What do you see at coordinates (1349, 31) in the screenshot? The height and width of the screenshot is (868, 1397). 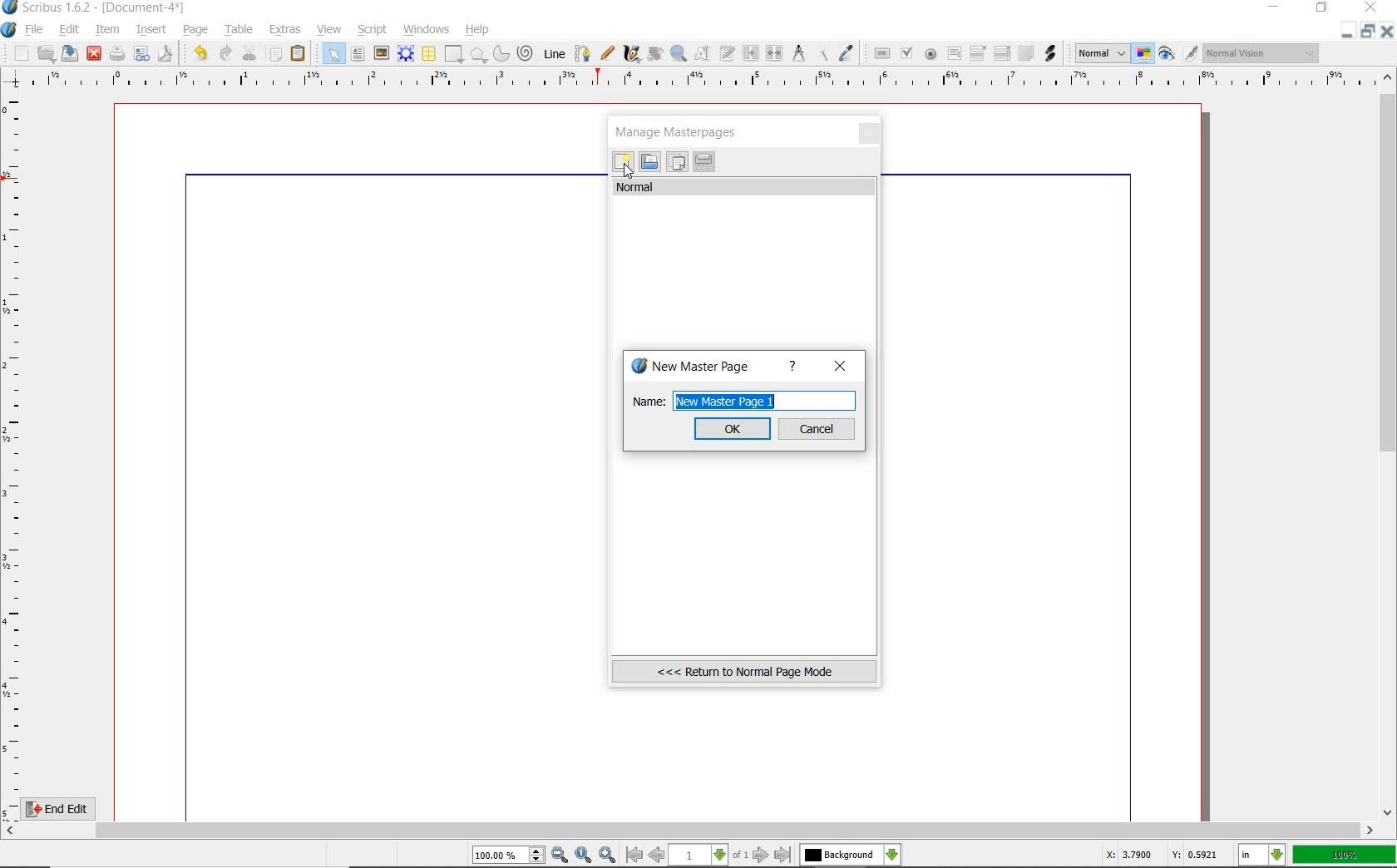 I see `minimize` at bounding box center [1349, 31].